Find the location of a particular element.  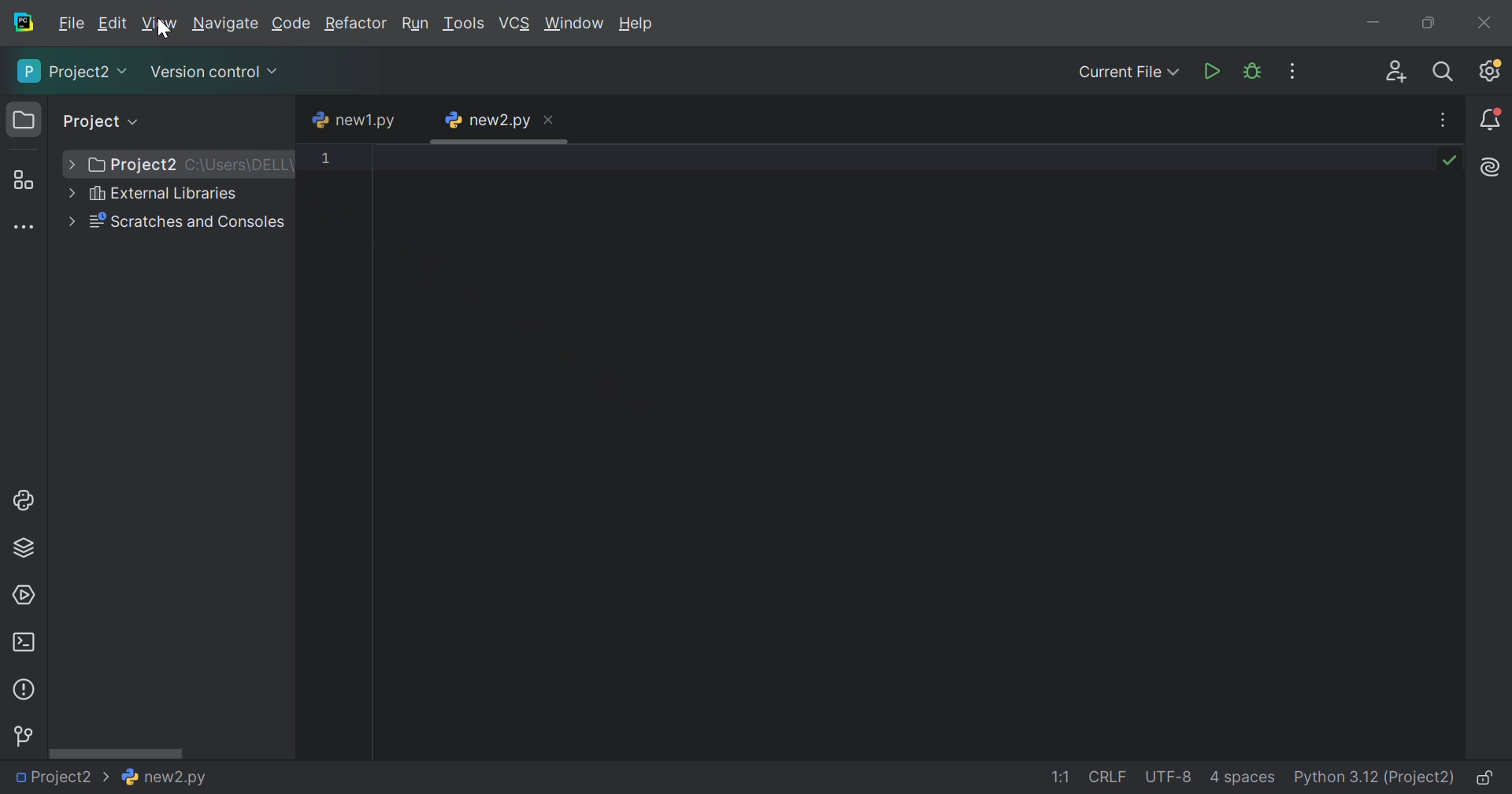

More tool windows is located at coordinates (24, 227).